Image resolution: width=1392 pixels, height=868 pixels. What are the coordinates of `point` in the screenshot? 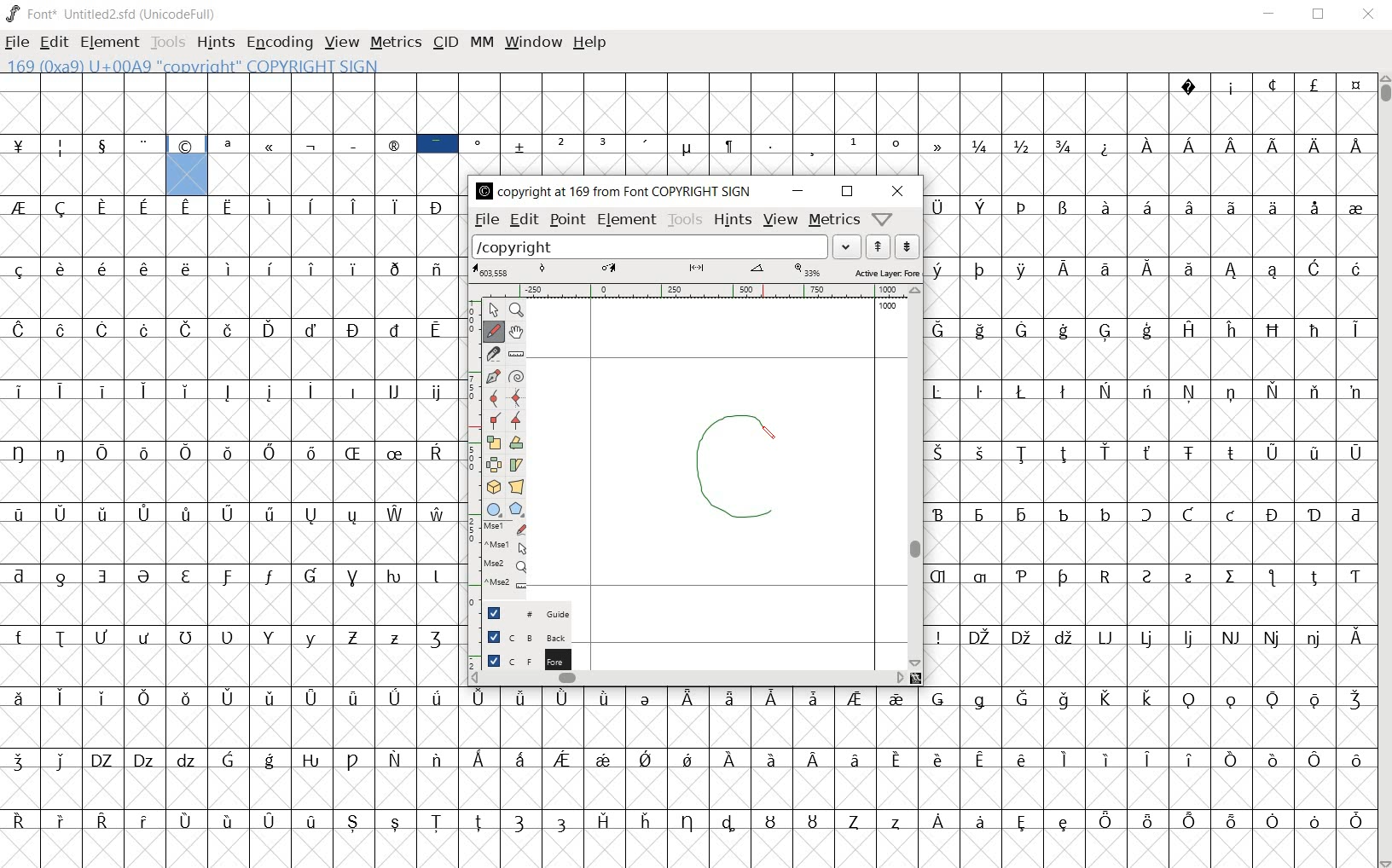 It's located at (566, 220).